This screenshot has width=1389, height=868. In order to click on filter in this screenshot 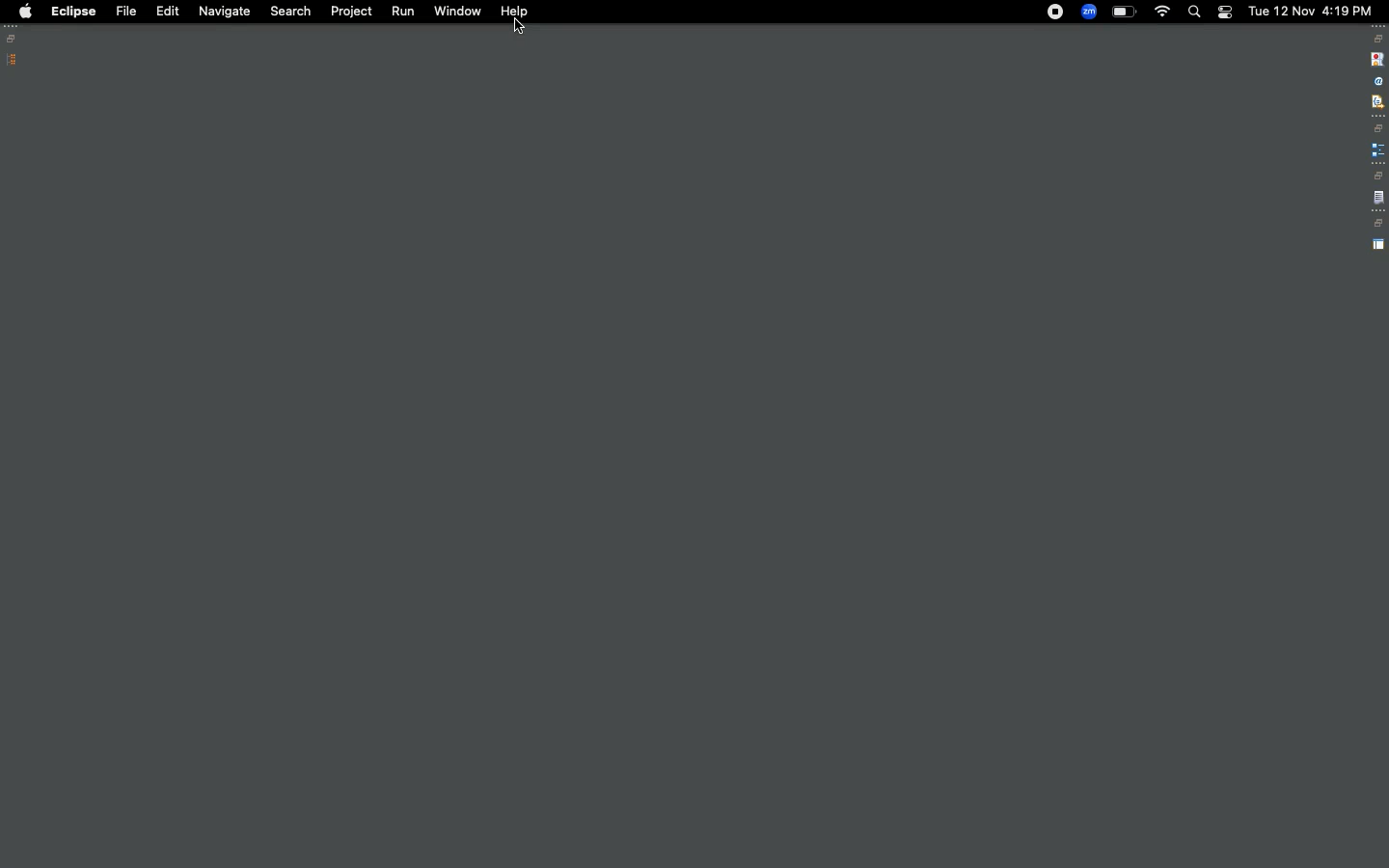, I will do `click(1376, 101)`.